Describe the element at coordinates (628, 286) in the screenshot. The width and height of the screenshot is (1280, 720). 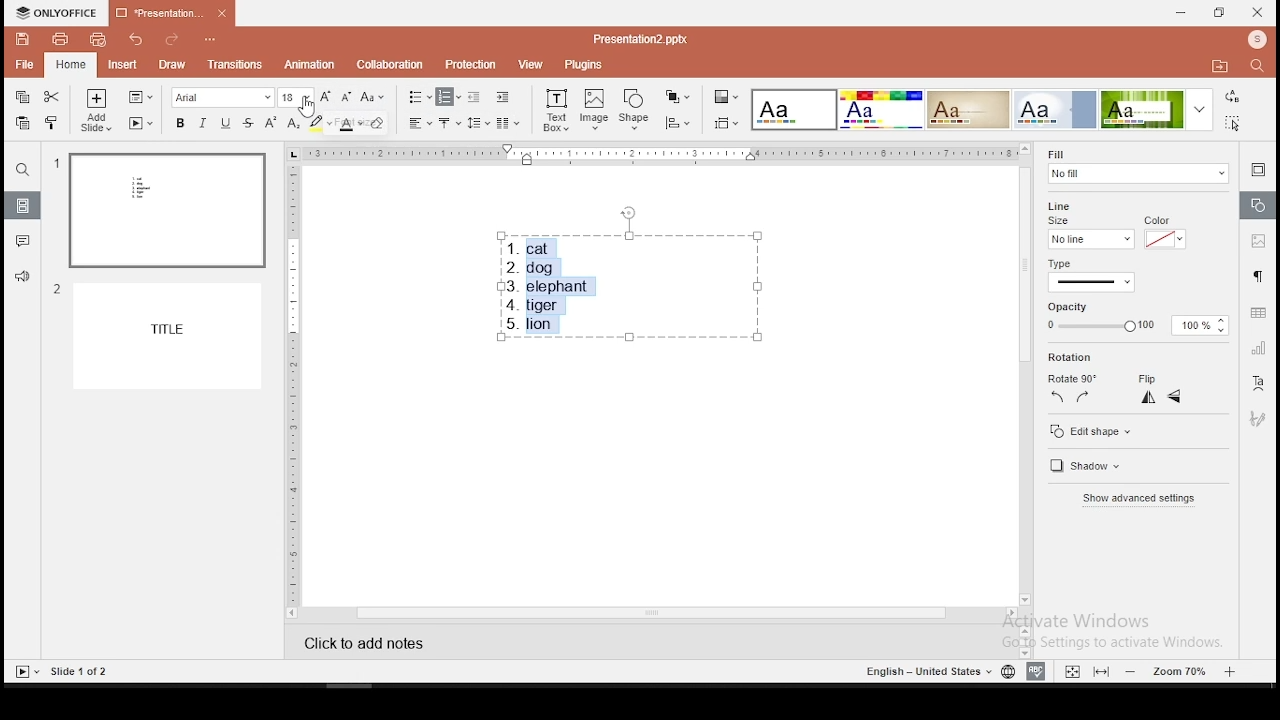
I see `text` at that location.